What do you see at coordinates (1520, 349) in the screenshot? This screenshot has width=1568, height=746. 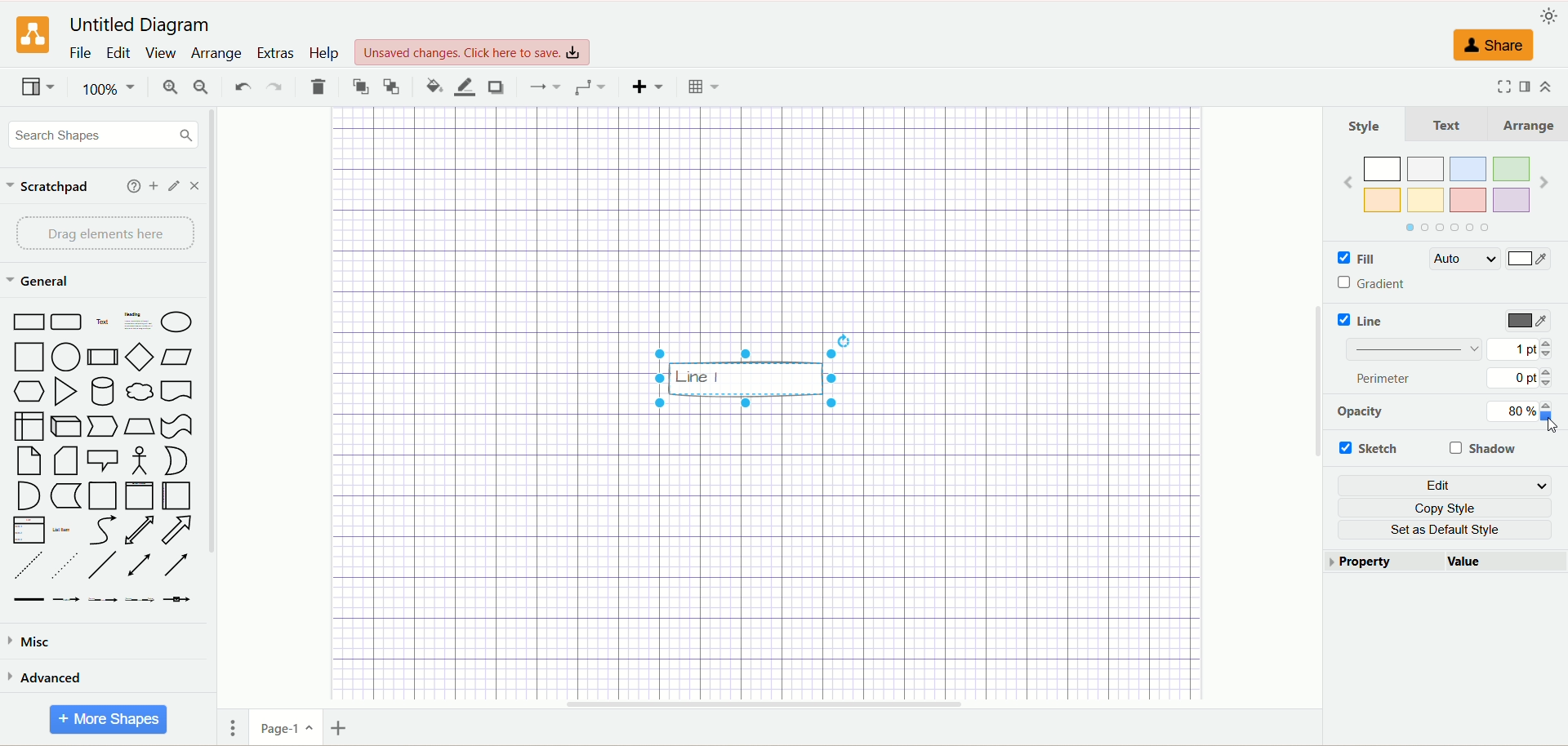 I see `1 pt` at bounding box center [1520, 349].